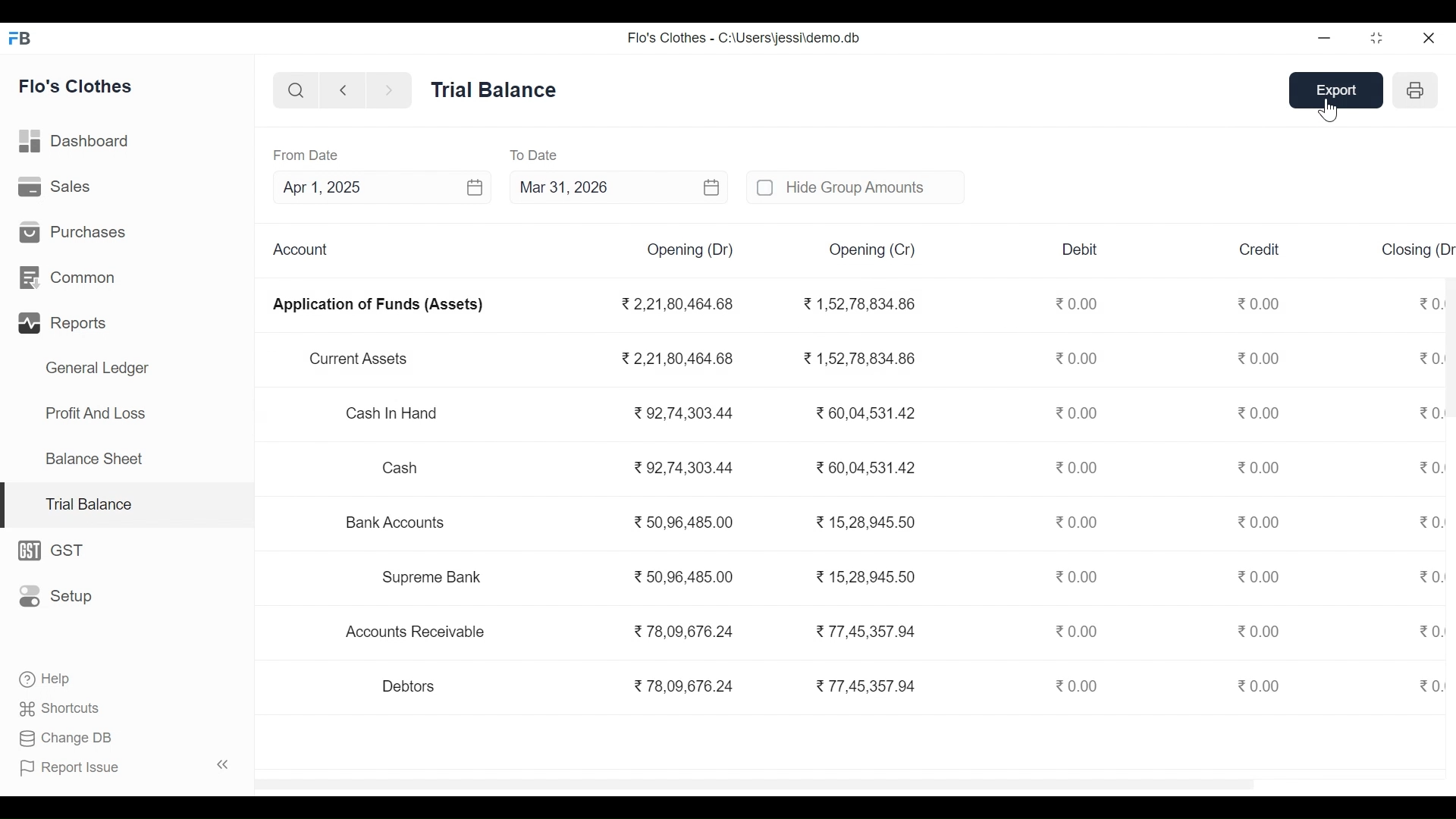  Describe the element at coordinates (683, 686) in the screenshot. I see `78,09,676.24` at that location.